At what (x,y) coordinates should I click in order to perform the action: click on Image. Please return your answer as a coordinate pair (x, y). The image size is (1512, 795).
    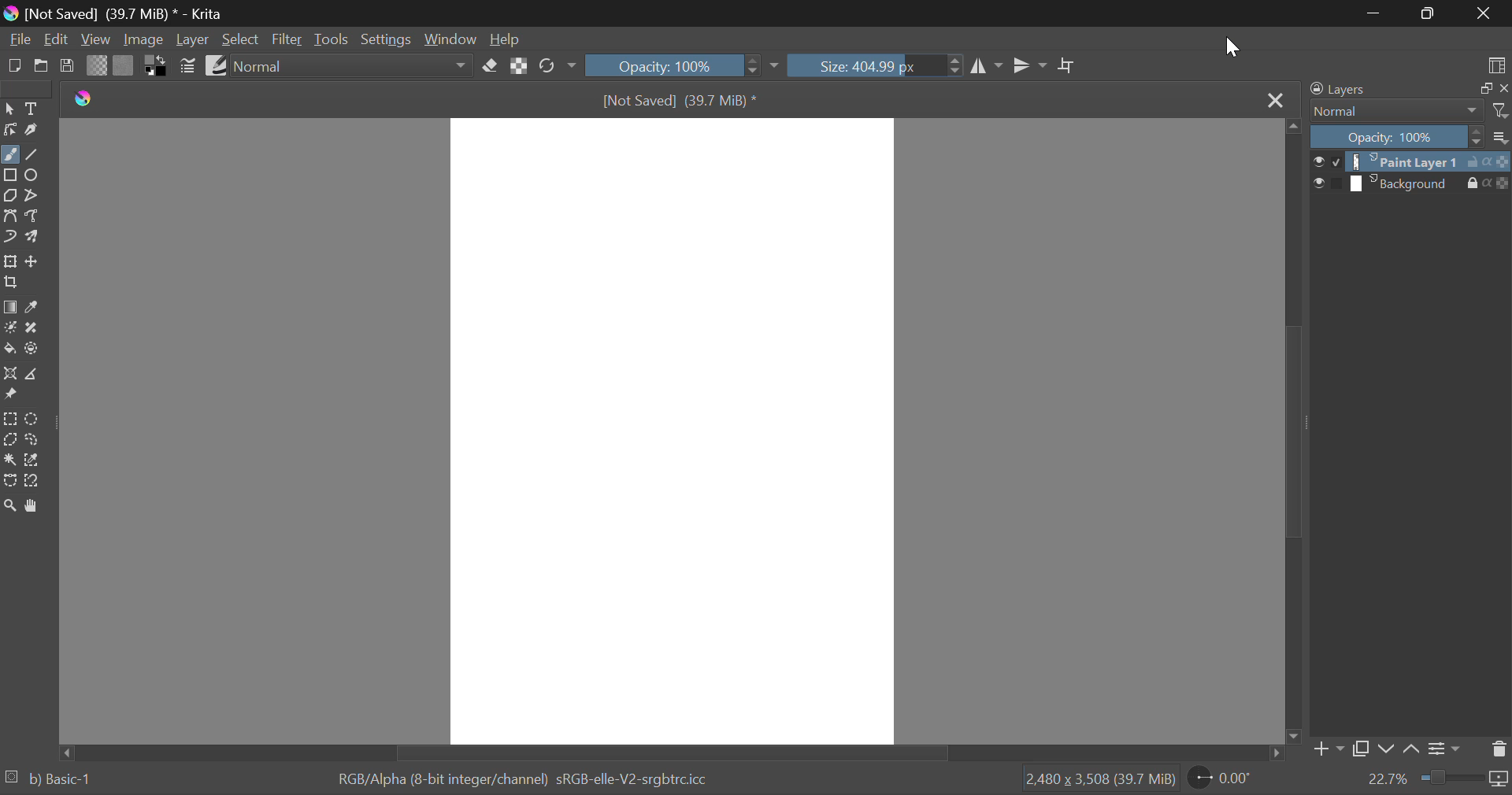
    Looking at the image, I should click on (145, 40).